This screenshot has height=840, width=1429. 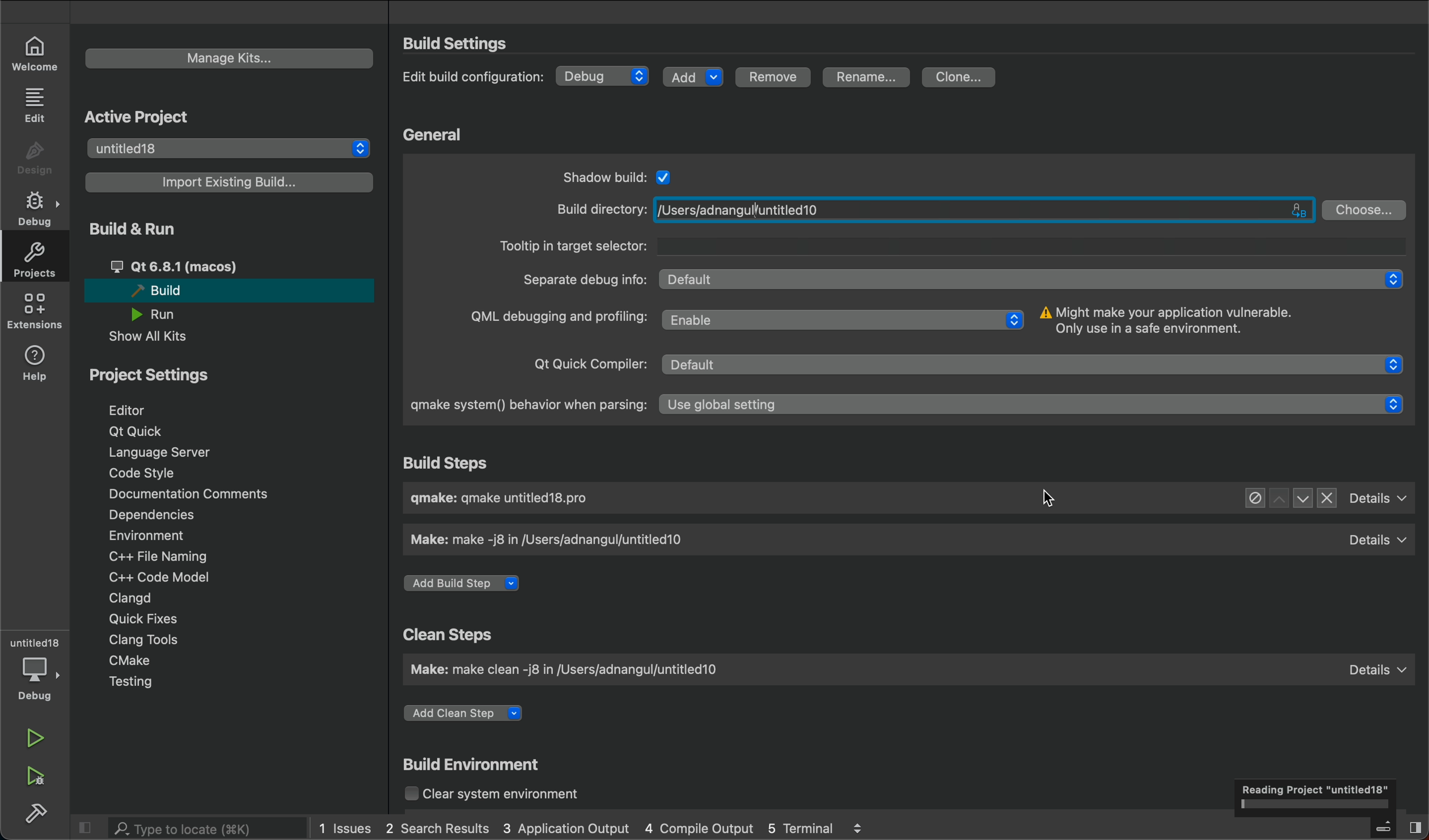 What do you see at coordinates (548, 541) in the screenshot?
I see `Make: make -j8 in /Users/adnangul/untitled10` at bounding box center [548, 541].